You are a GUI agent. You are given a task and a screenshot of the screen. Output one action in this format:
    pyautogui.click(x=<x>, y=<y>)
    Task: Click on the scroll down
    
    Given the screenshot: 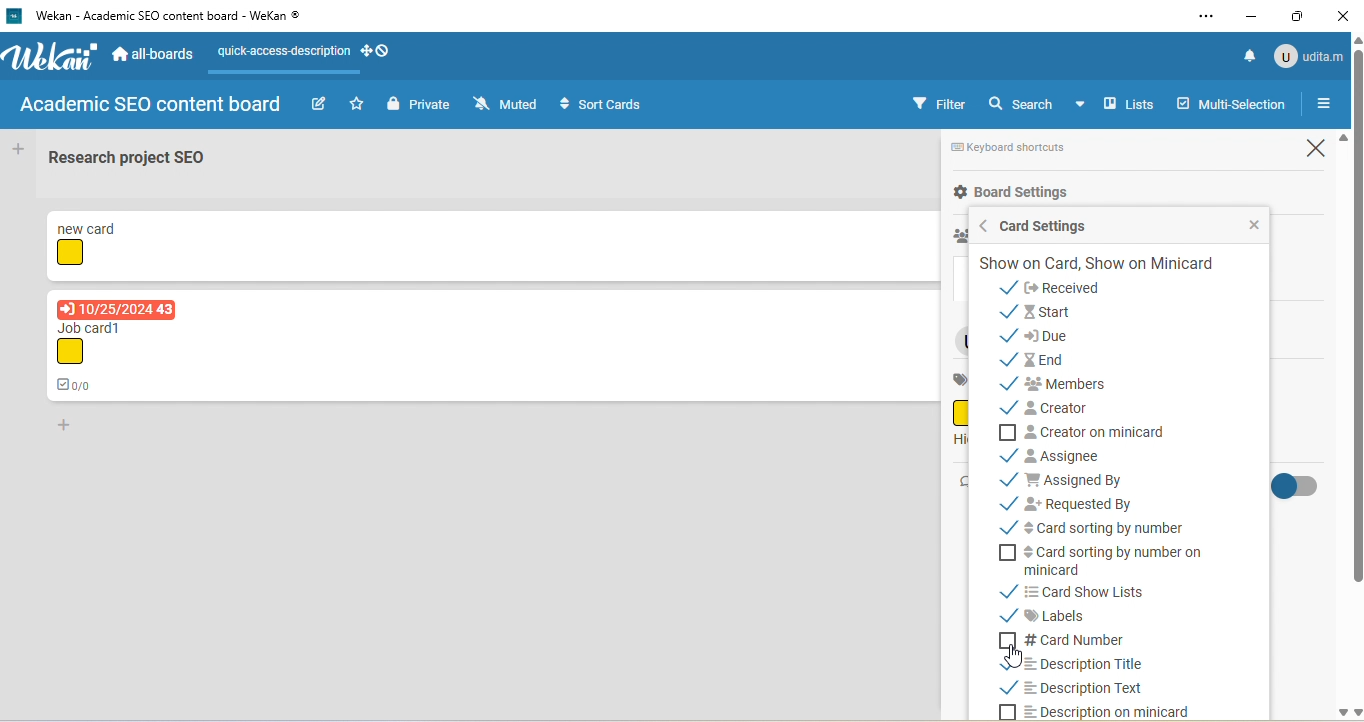 What is the action you would take?
    pyautogui.click(x=1340, y=714)
    